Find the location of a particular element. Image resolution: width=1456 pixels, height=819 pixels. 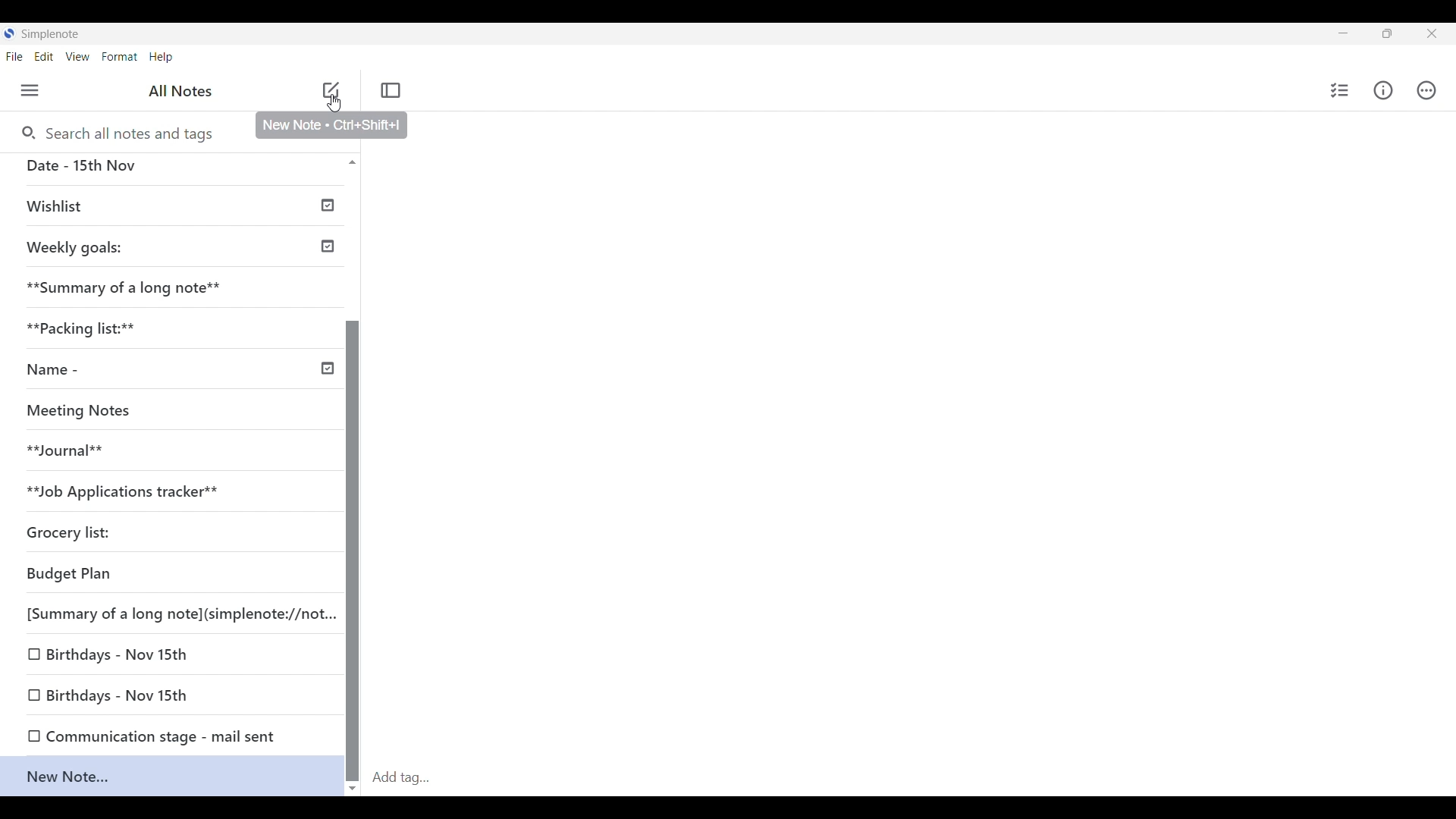

Format menu is located at coordinates (119, 57).